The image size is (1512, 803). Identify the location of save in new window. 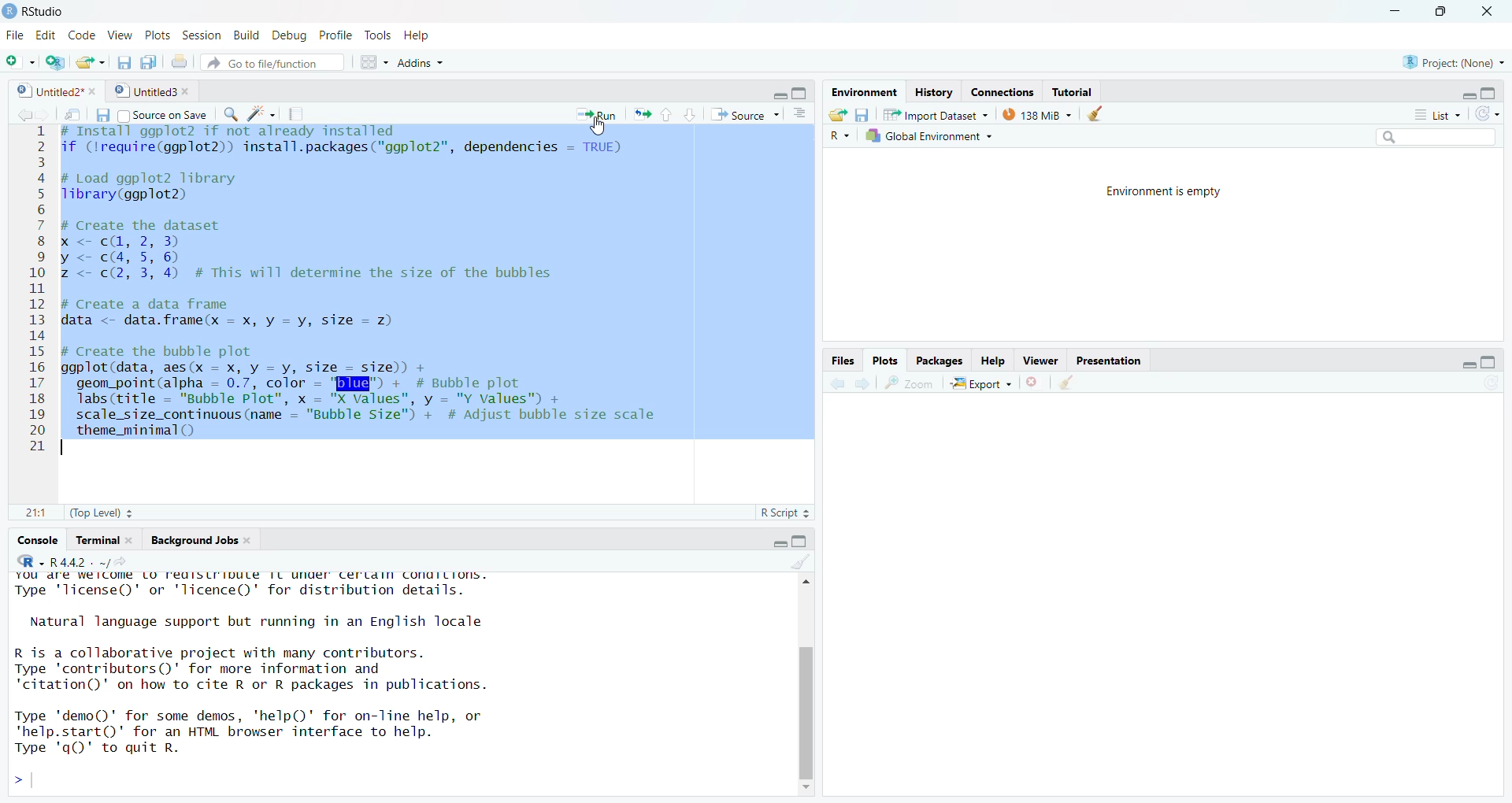
(67, 111).